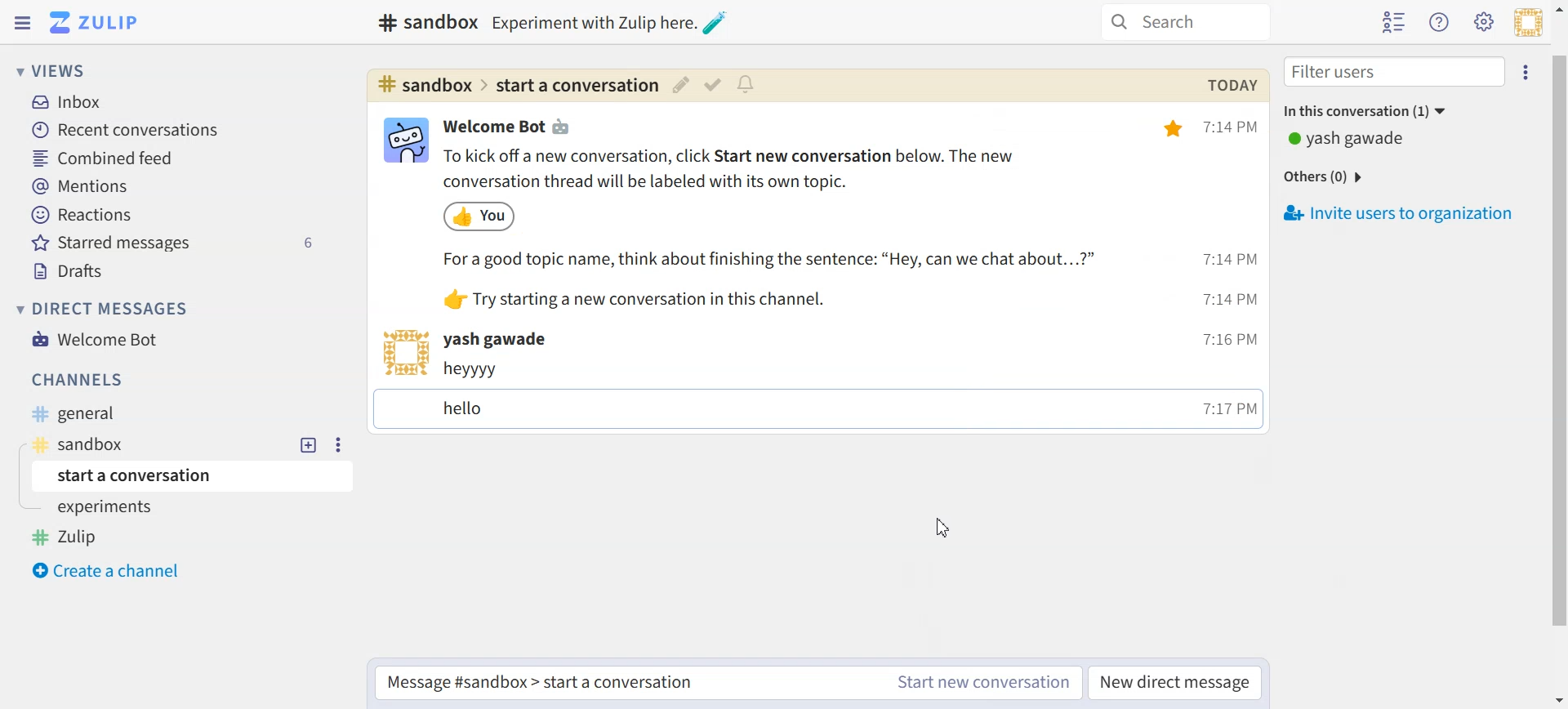  I want to click on , so click(776, 260).